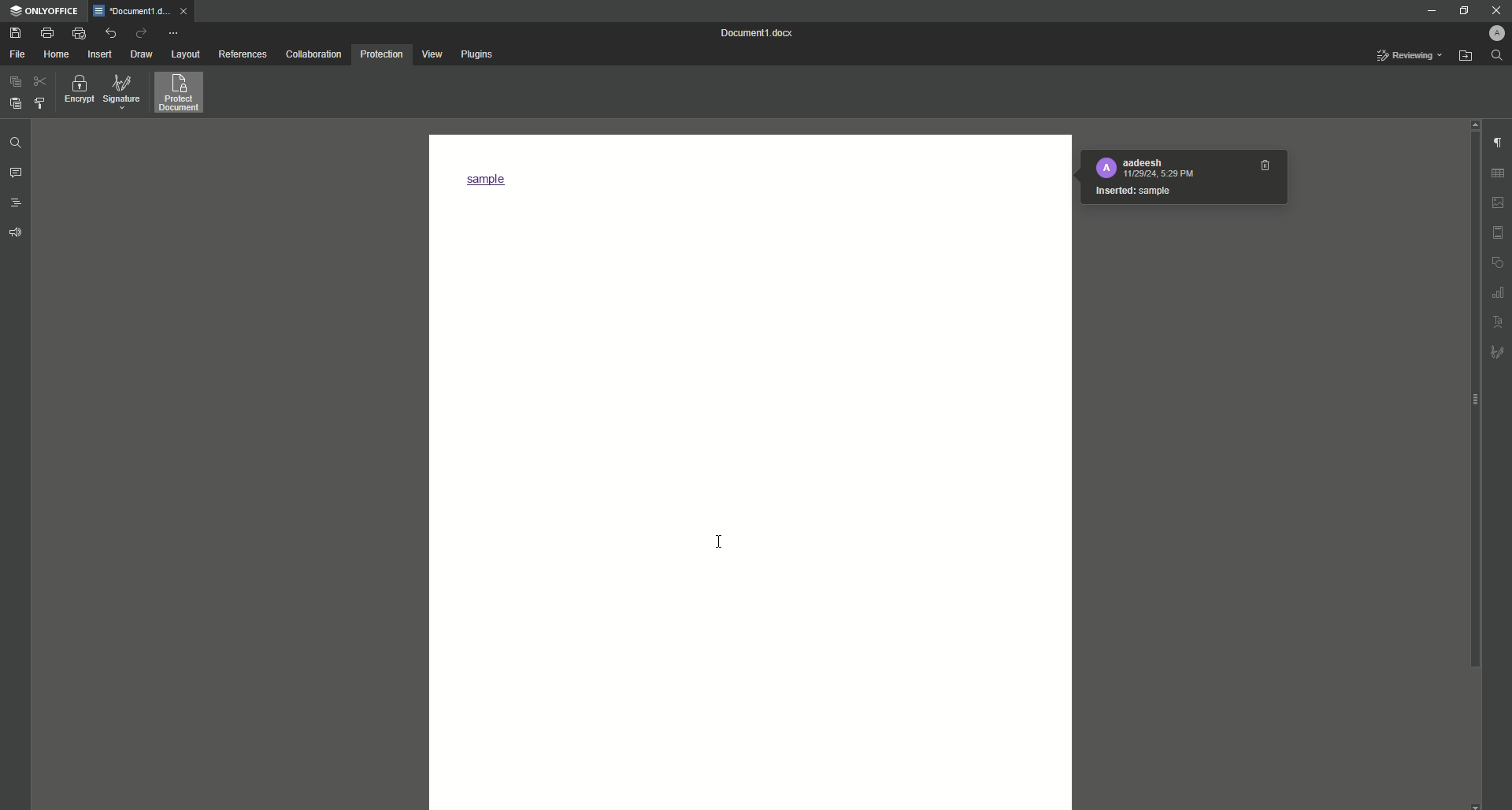 Image resolution: width=1512 pixels, height=810 pixels. What do you see at coordinates (1428, 11) in the screenshot?
I see `Minimize` at bounding box center [1428, 11].